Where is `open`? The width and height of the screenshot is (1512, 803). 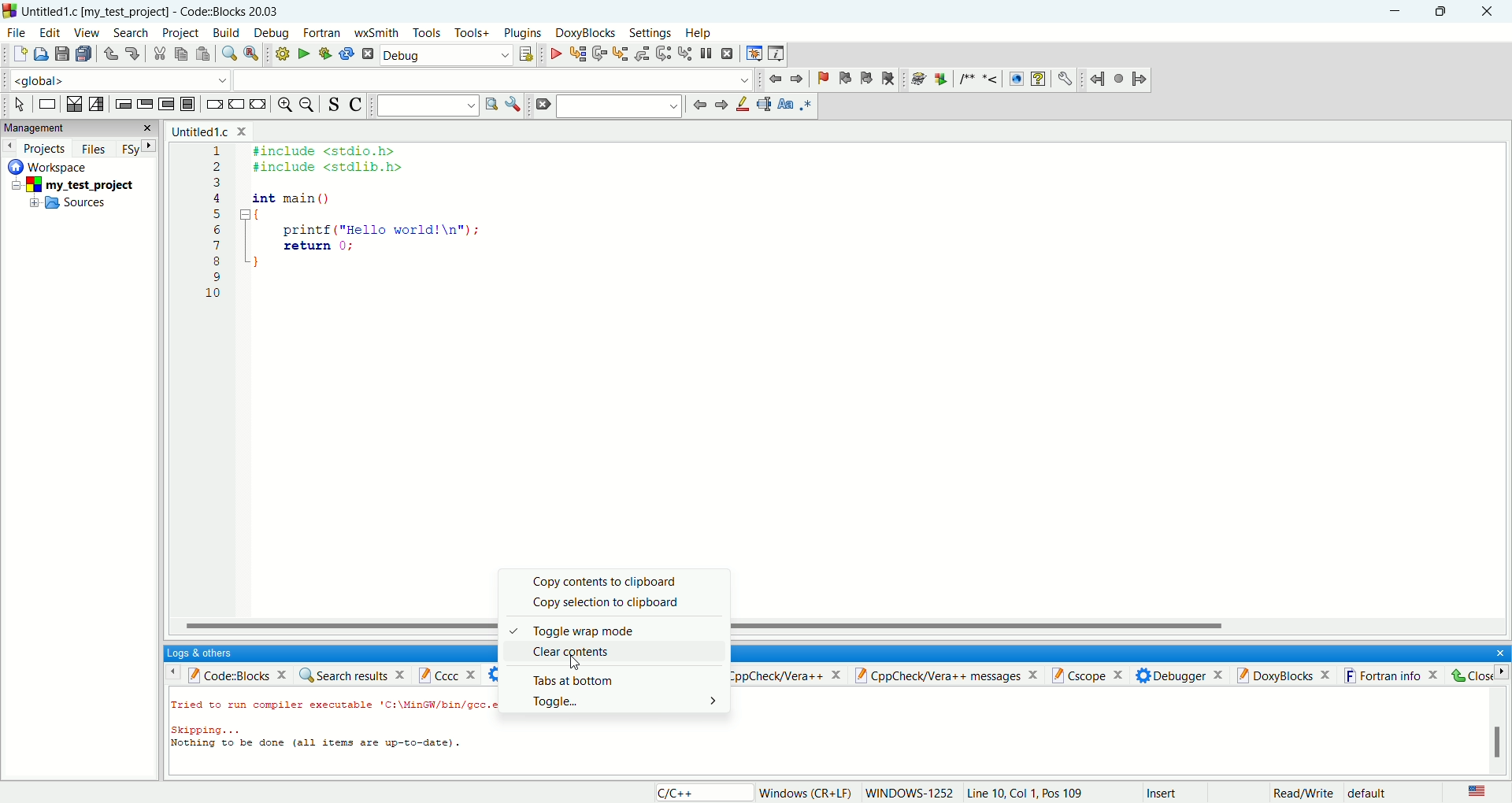
open is located at coordinates (39, 54).